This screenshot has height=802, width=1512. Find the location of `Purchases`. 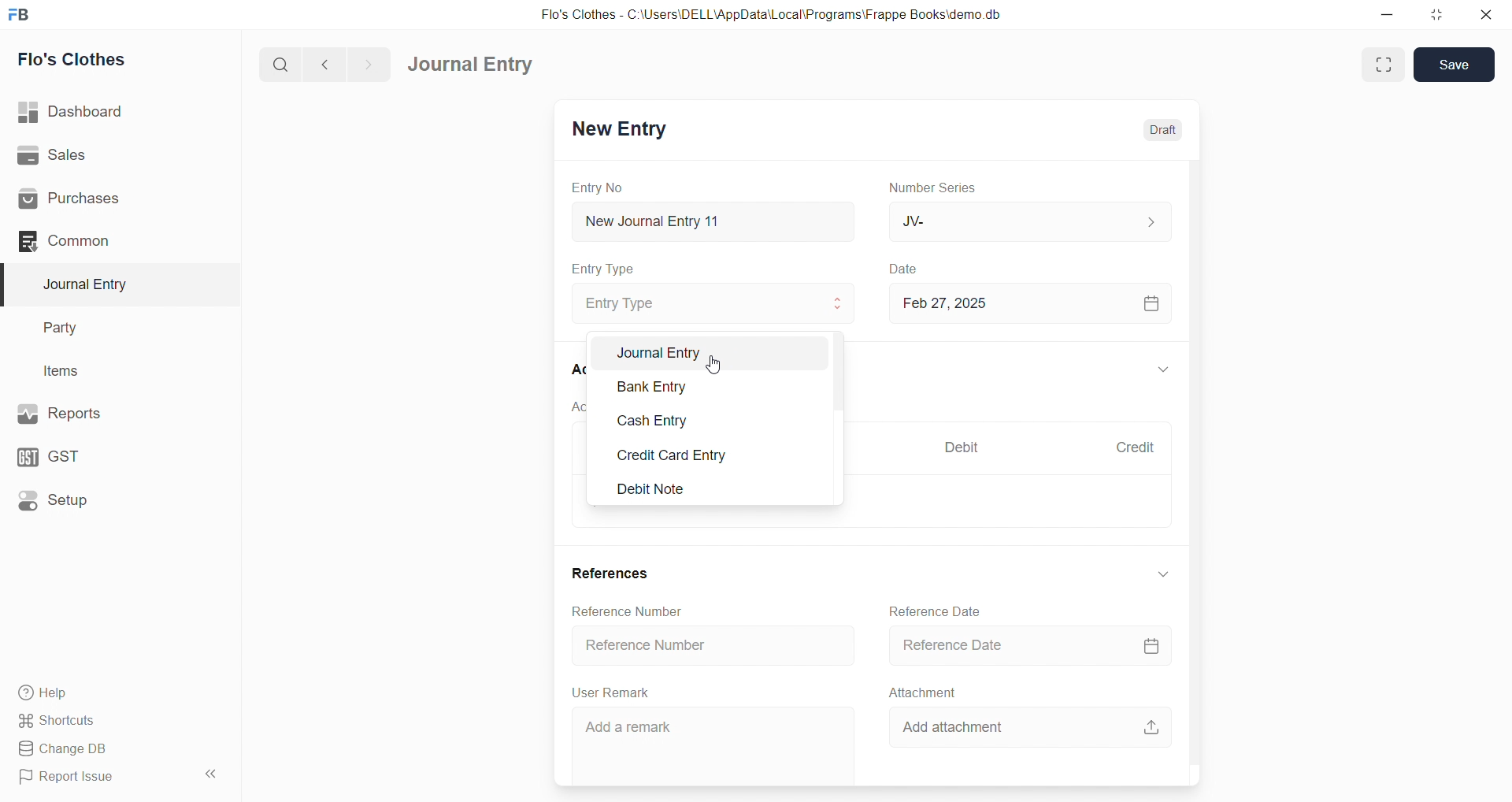

Purchases is located at coordinates (95, 200).